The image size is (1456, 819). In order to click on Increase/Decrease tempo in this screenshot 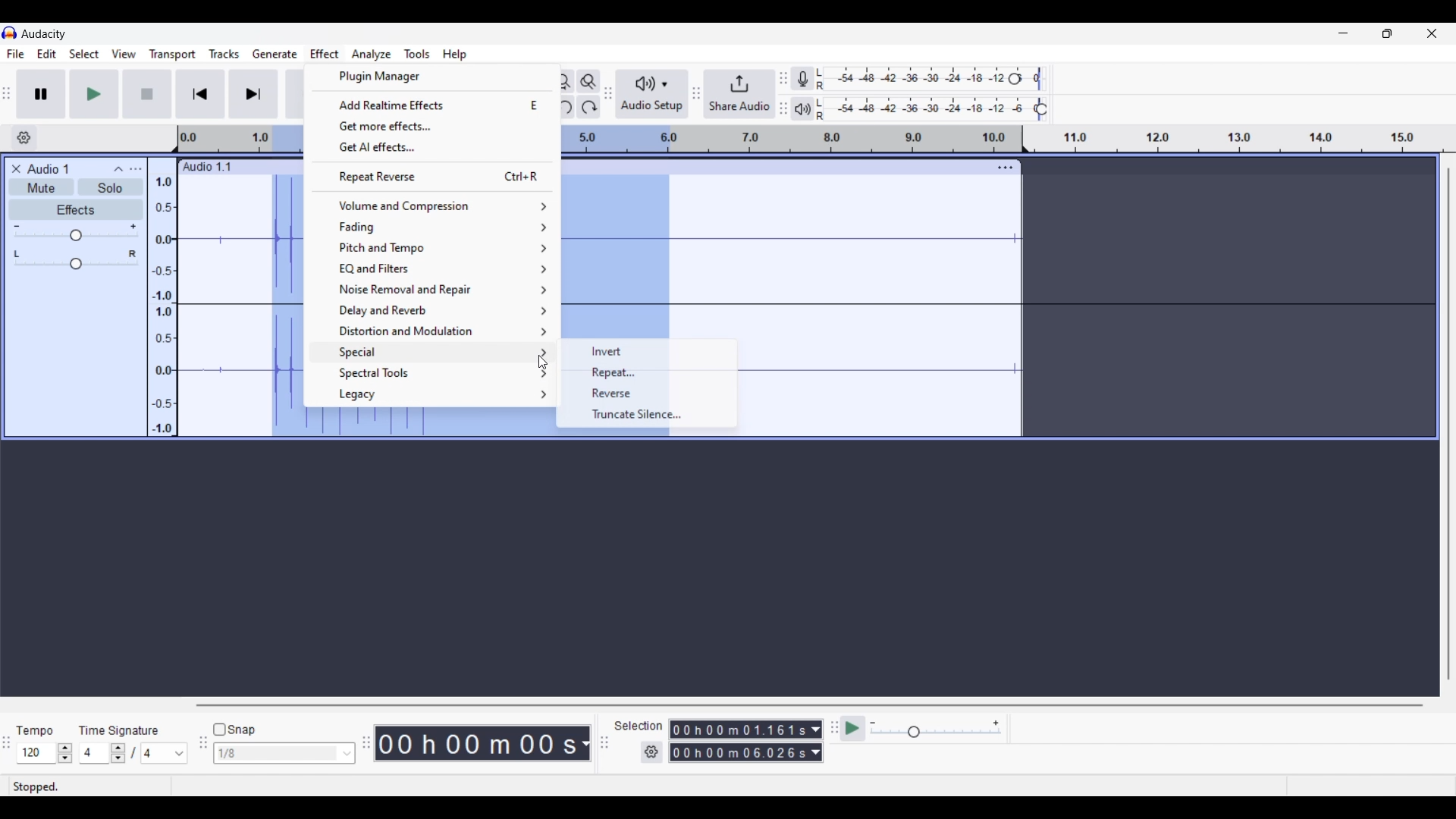, I will do `click(64, 754)`.